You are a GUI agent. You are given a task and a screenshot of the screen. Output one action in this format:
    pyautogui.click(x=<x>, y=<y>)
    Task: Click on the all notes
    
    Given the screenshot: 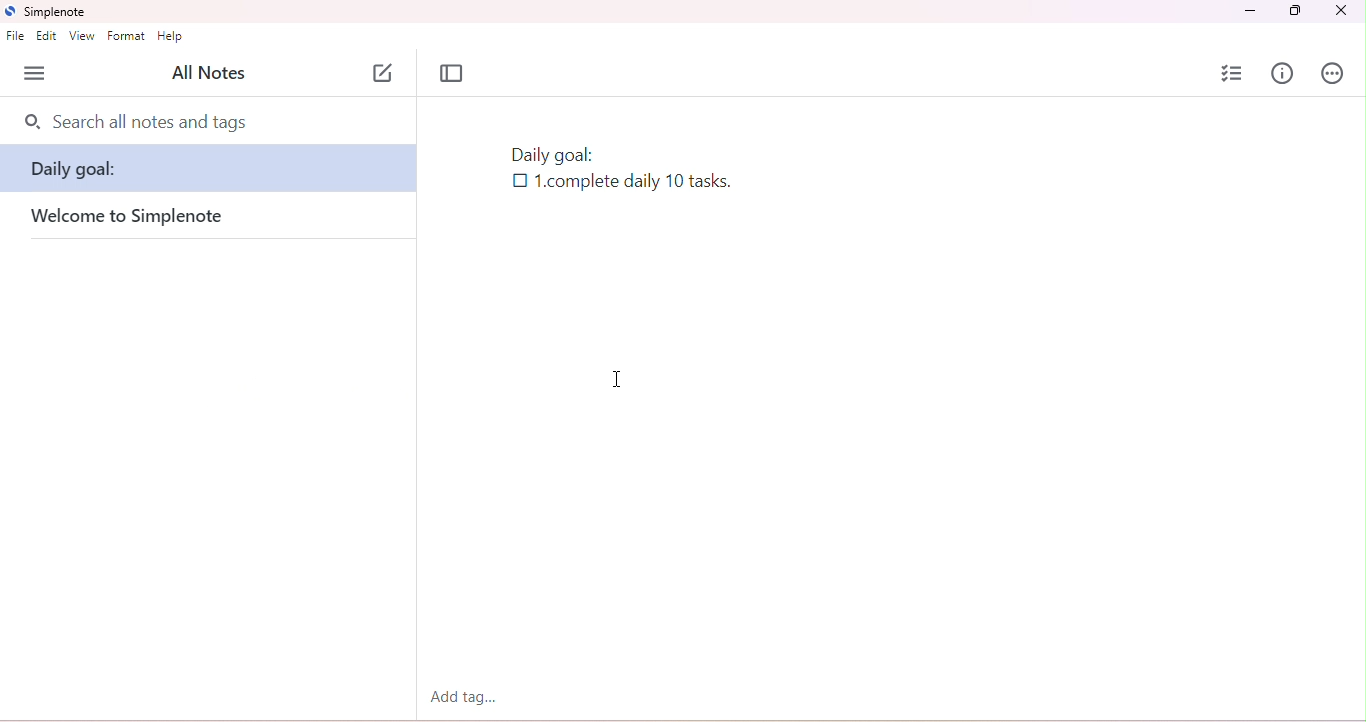 What is the action you would take?
    pyautogui.click(x=209, y=71)
    